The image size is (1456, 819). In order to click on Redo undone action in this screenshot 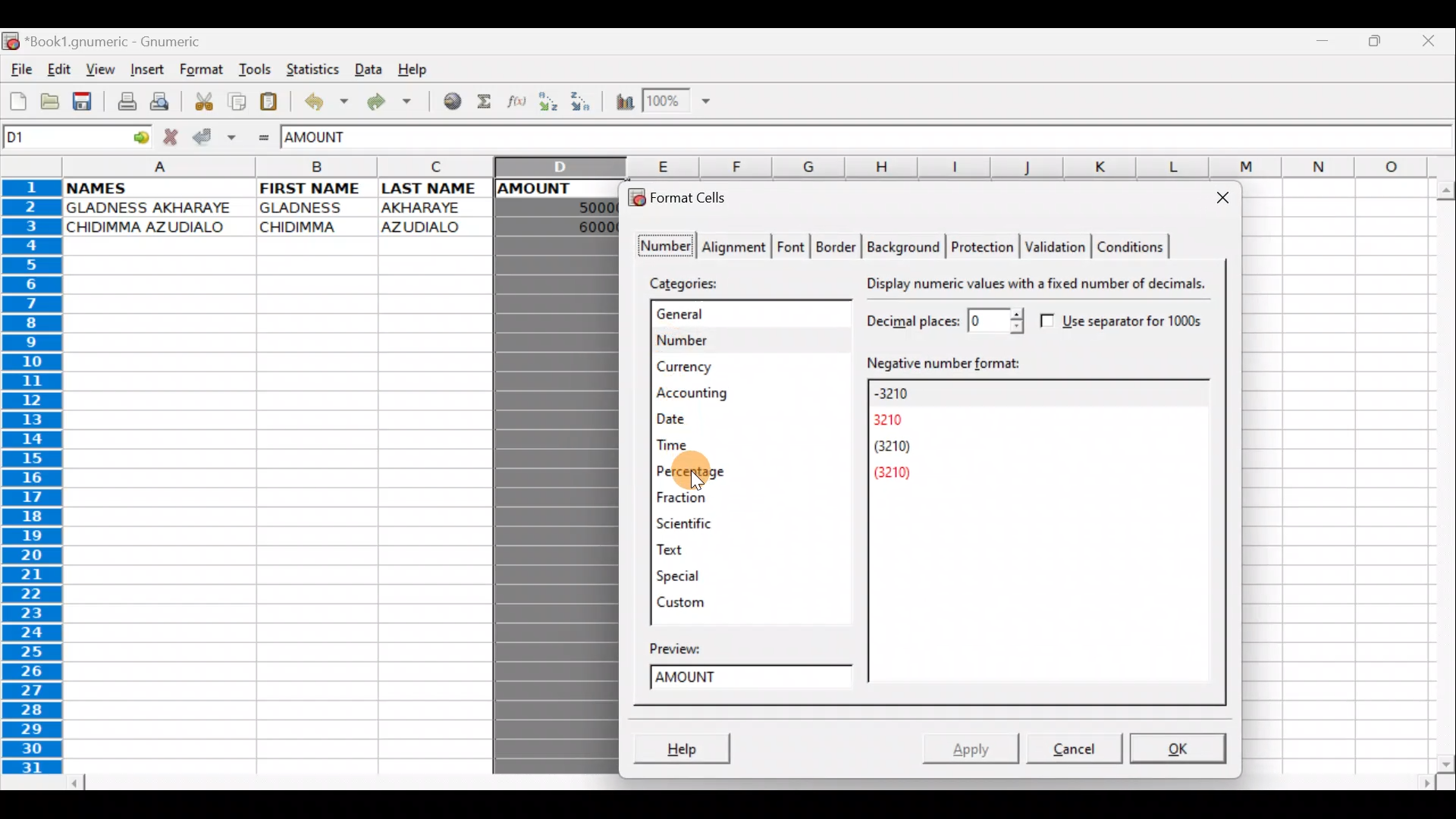, I will do `click(386, 102)`.